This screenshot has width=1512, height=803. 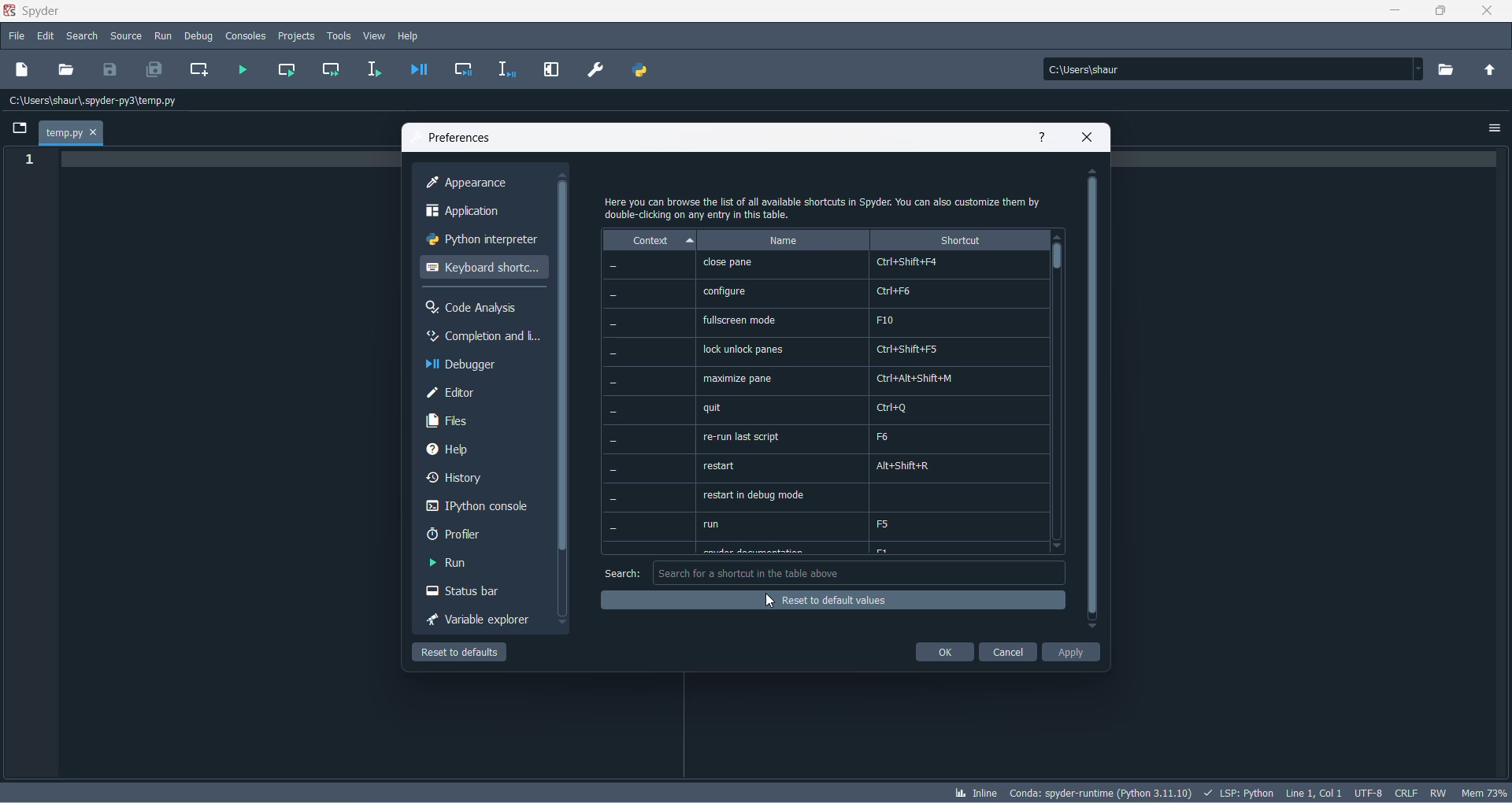 What do you see at coordinates (1095, 629) in the screenshot?
I see `move down` at bounding box center [1095, 629].